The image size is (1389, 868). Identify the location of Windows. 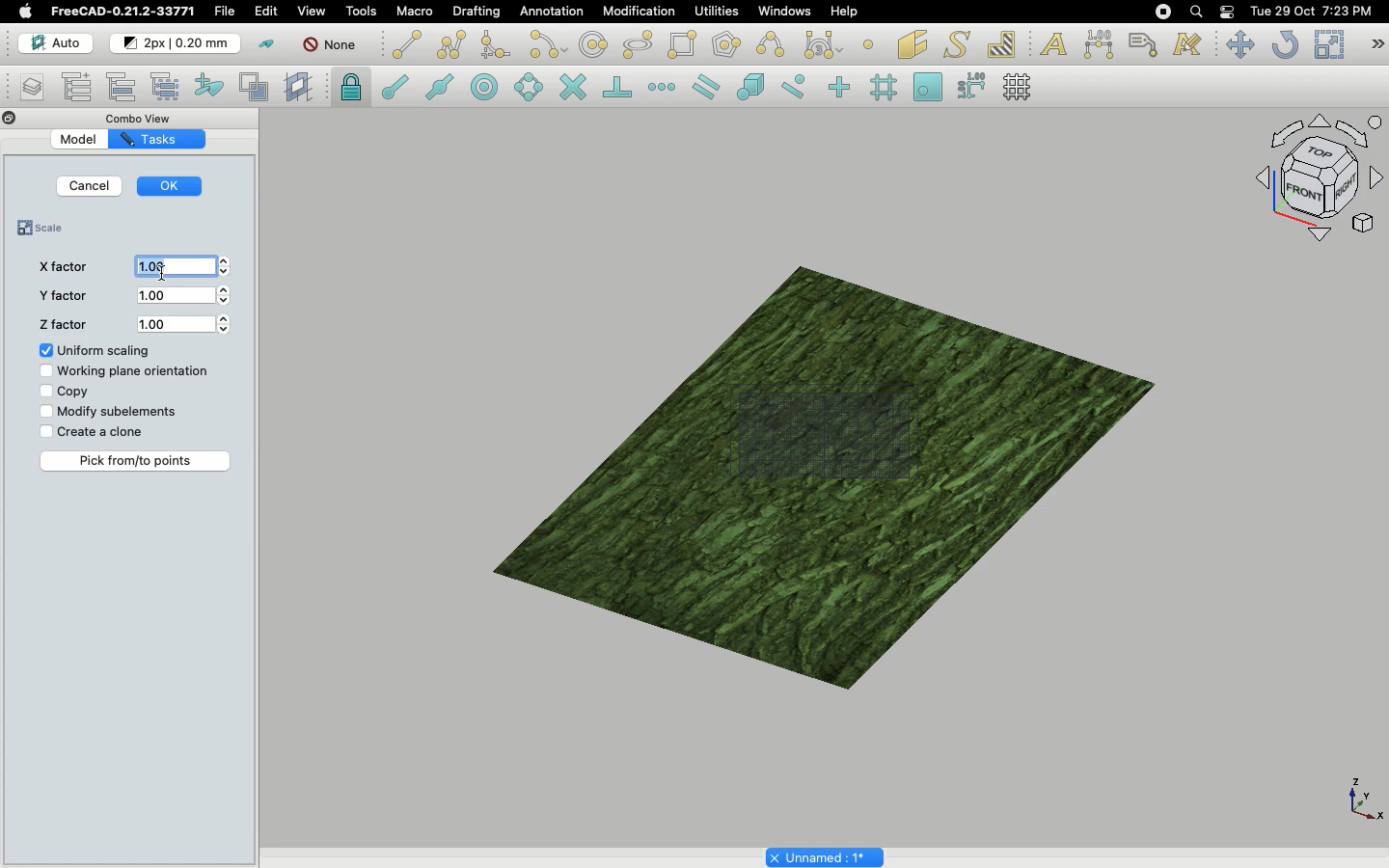
(782, 12).